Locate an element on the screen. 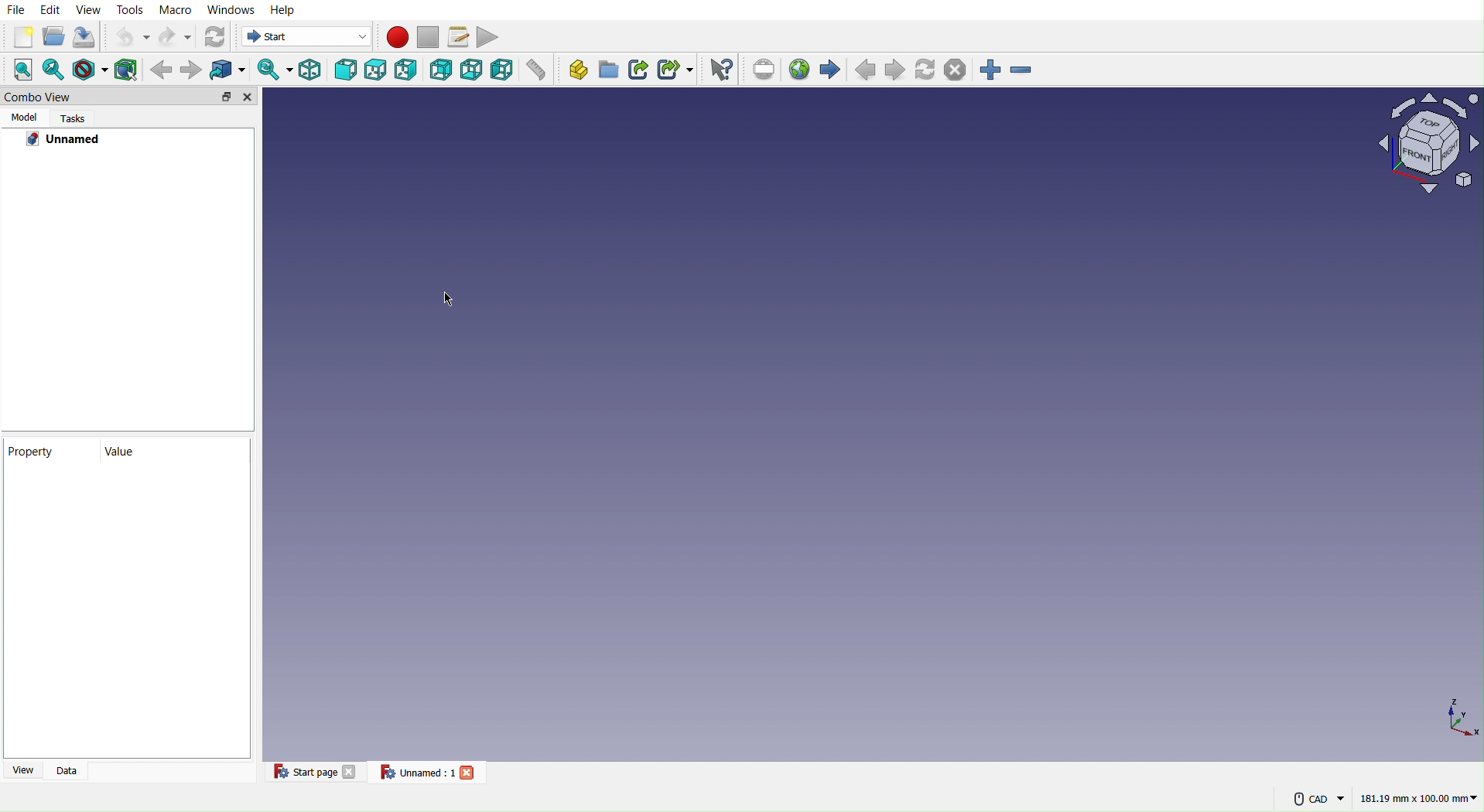  Next page is located at coordinates (894, 70).